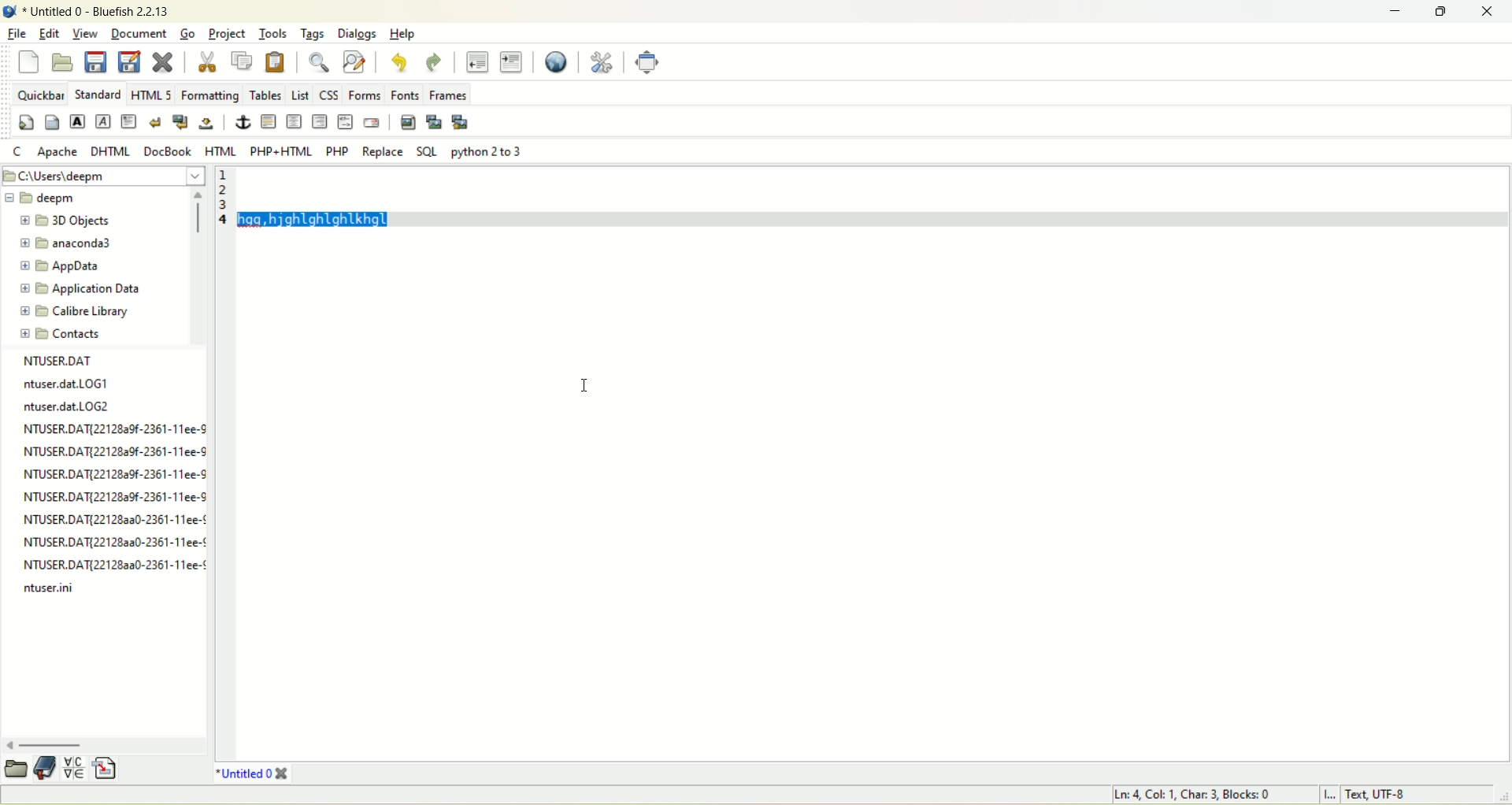 This screenshot has width=1512, height=805. I want to click on emphasis, so click(102, 121).